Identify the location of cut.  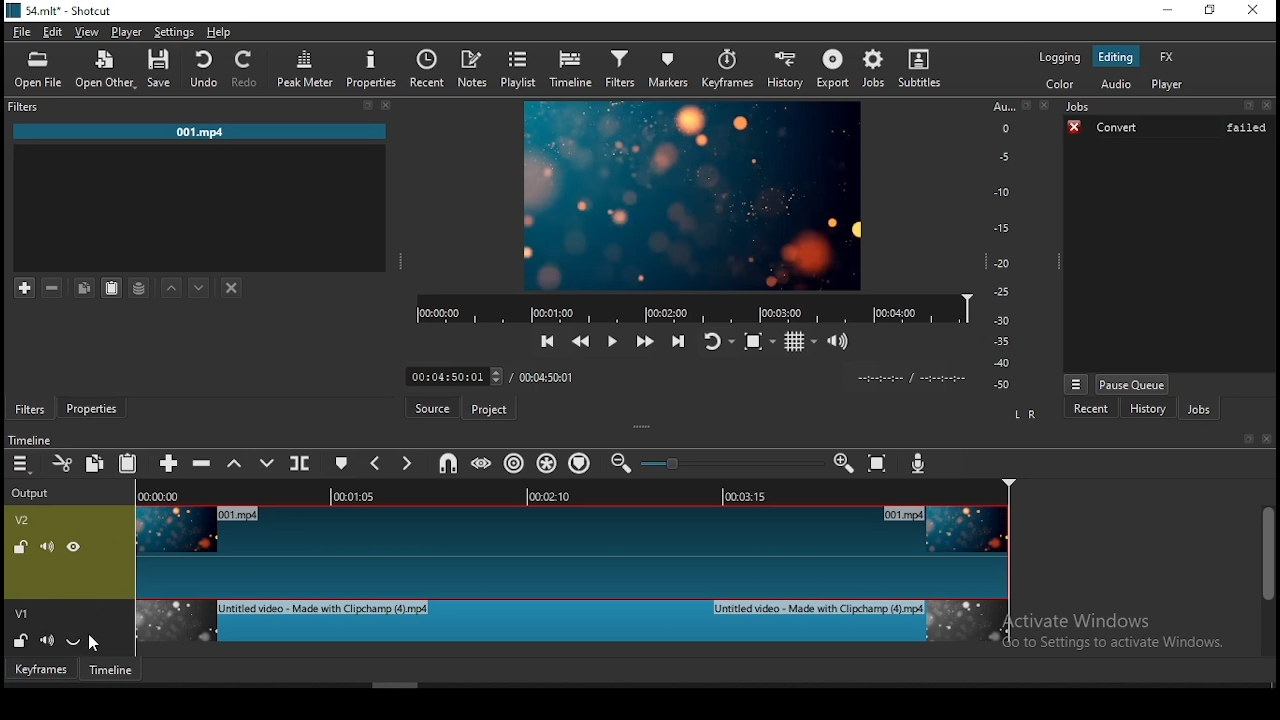
(59, 461).